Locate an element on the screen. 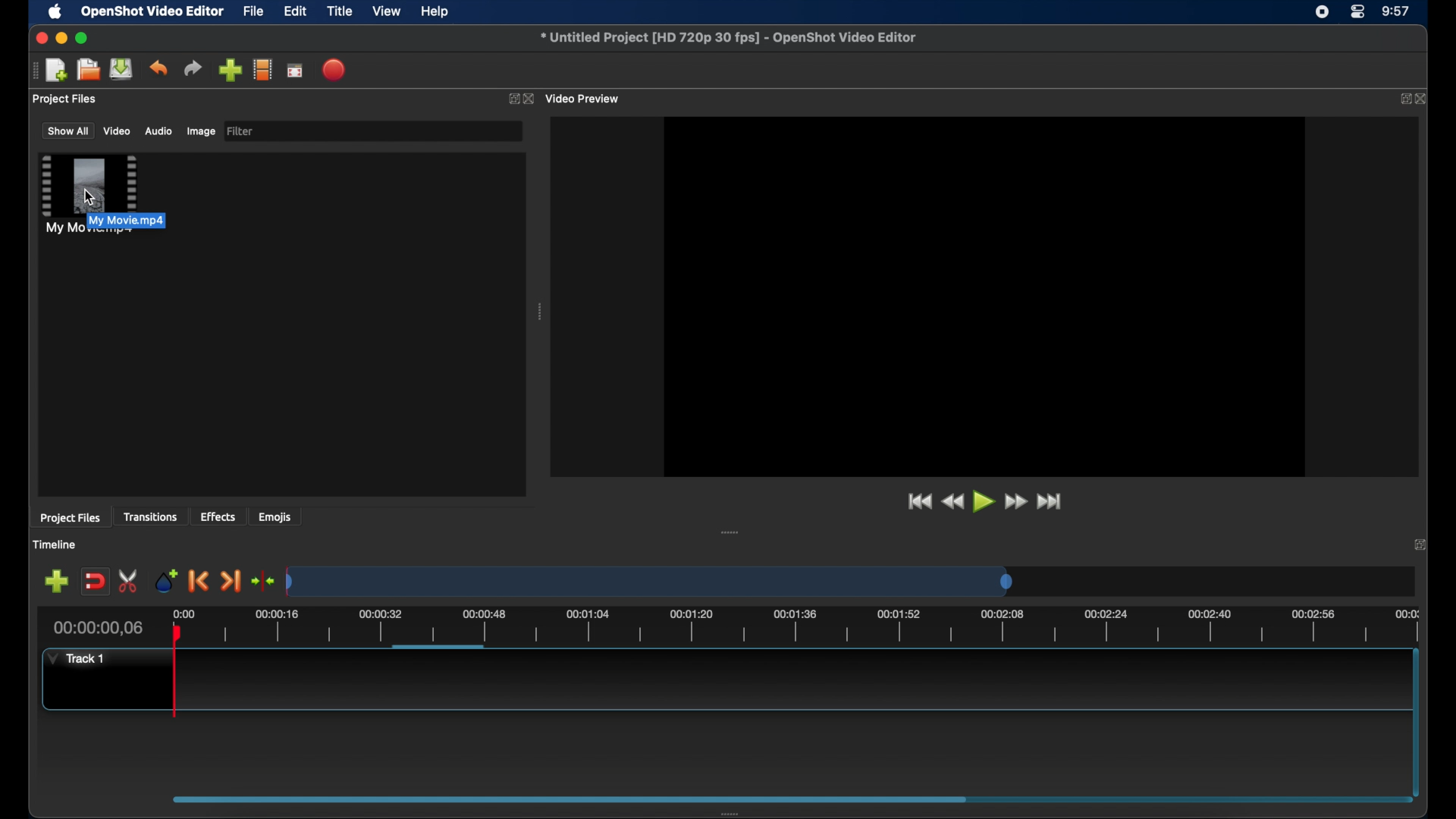 The width and height of the screenshot is (1456, 819). expand is located at coordinates (1423, 544).